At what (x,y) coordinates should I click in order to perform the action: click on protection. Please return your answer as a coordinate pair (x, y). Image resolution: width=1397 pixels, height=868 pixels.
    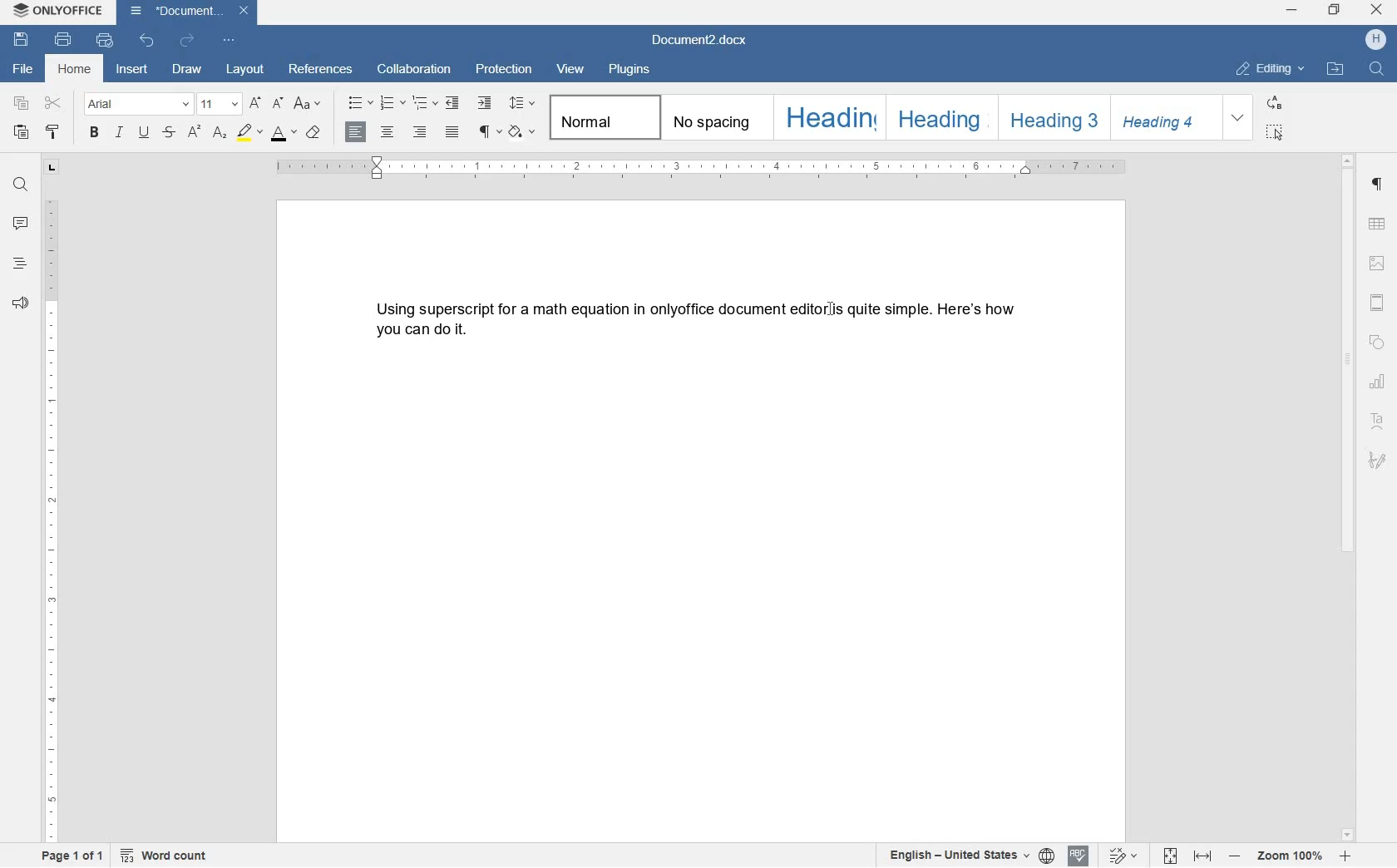
    Looking at the image, I should click on (506, 71).